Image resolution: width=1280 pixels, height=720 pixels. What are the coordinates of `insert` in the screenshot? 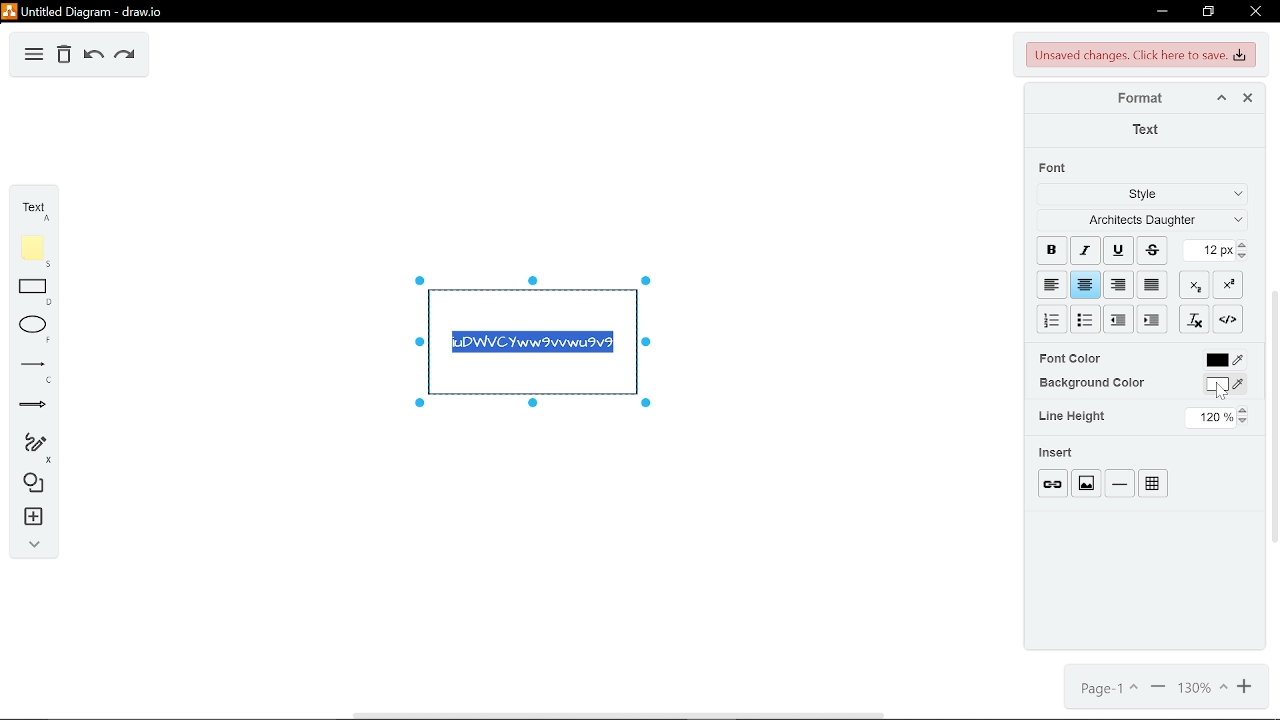 It's located at (1057, 453).